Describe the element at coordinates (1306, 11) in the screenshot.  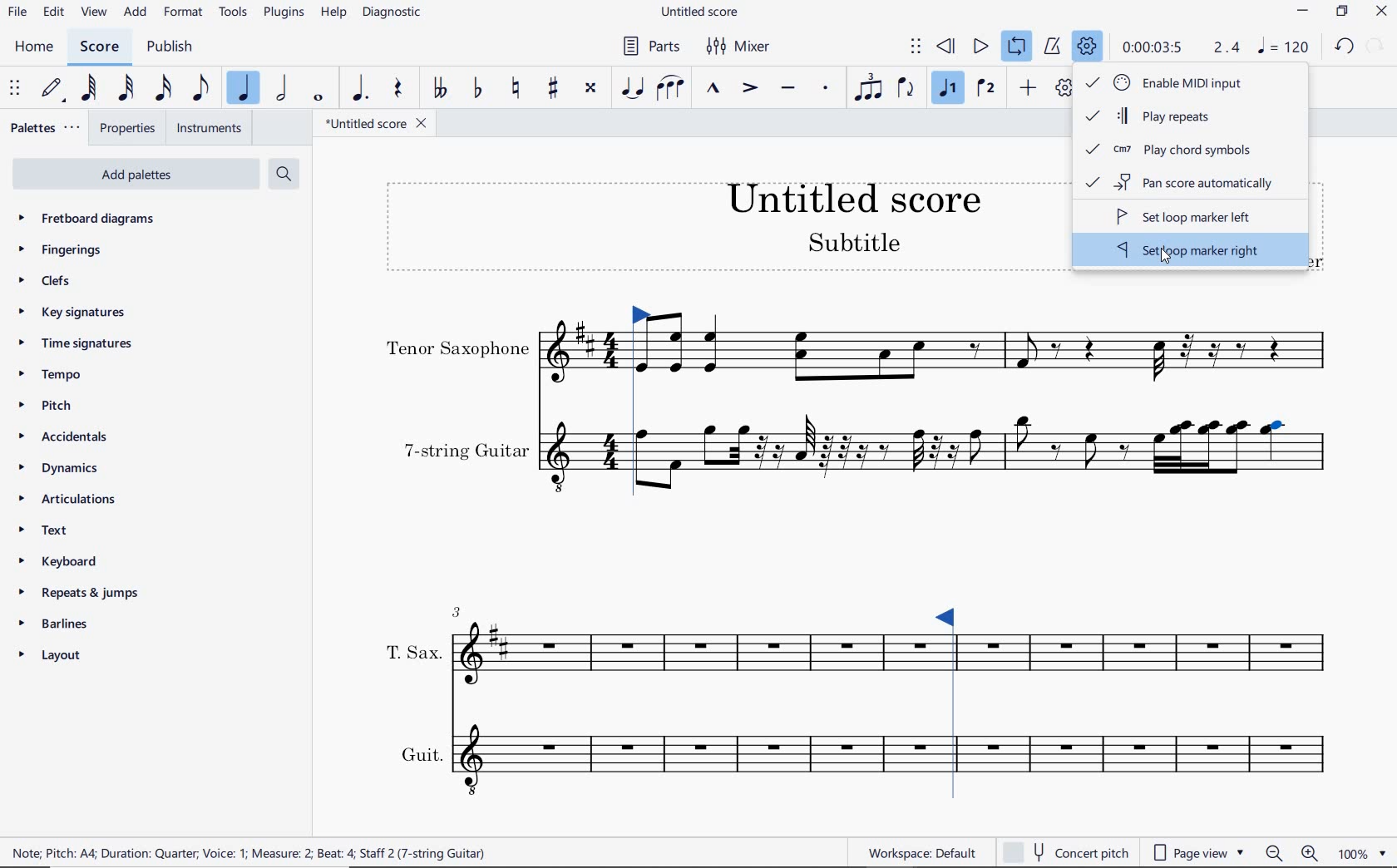
I see `MINIMIZE` at that location.